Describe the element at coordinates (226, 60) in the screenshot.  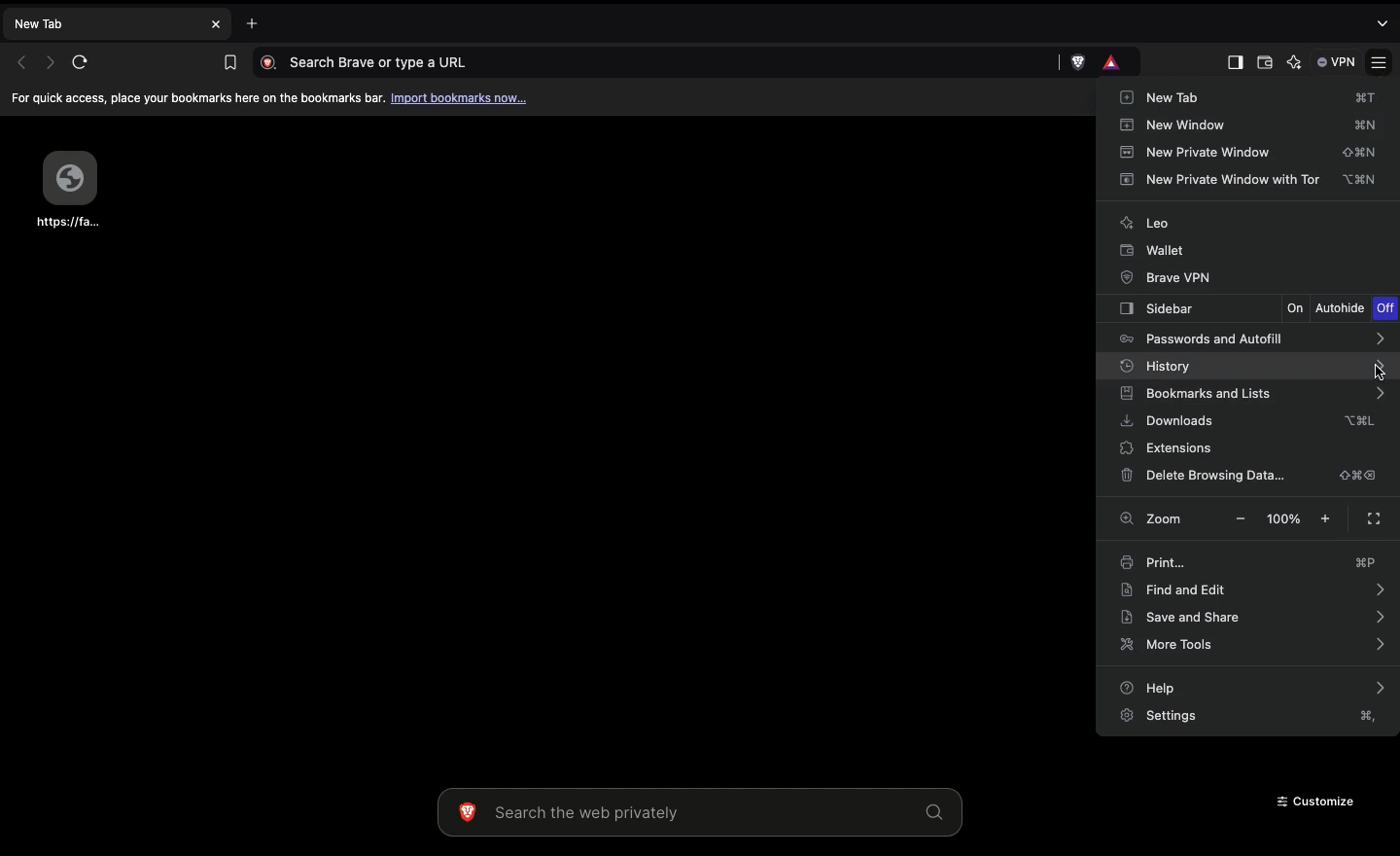
I see `Bookmark` at that location.